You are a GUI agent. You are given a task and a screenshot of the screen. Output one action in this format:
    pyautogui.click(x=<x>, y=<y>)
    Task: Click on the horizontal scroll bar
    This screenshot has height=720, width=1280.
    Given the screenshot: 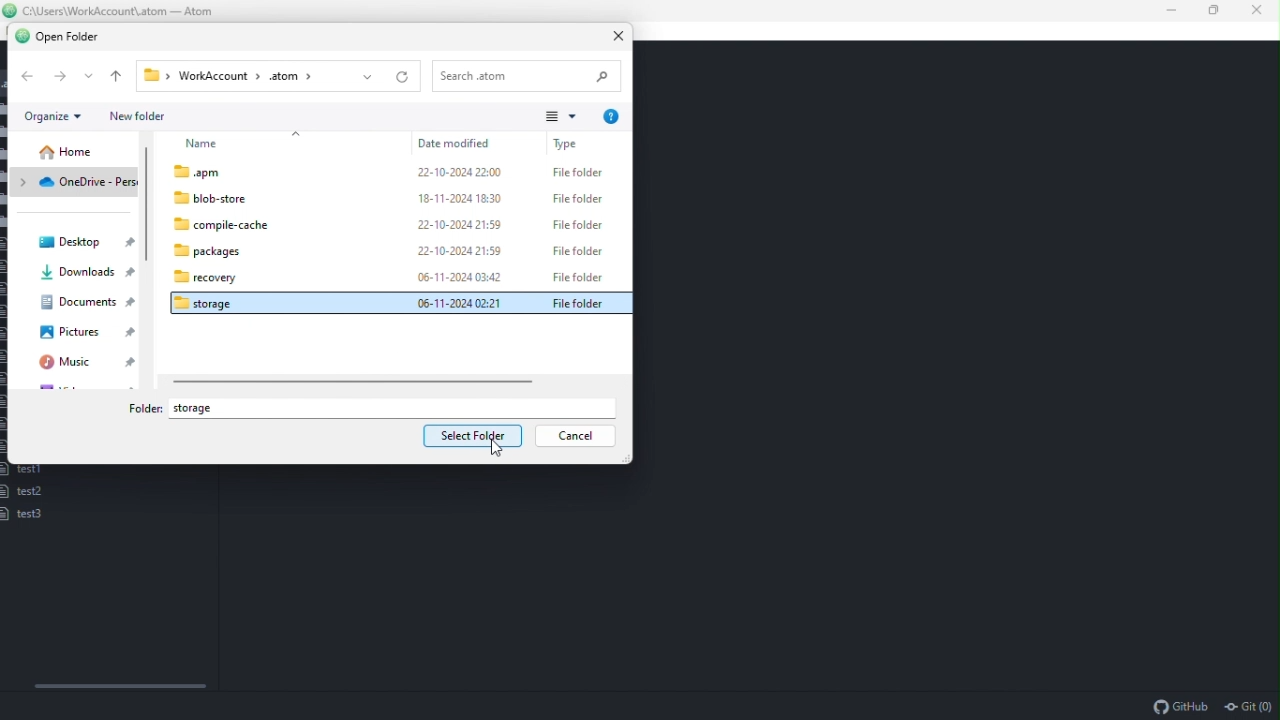 What is the action you would take?
    pyautogui.click(x=356, y=383)
    